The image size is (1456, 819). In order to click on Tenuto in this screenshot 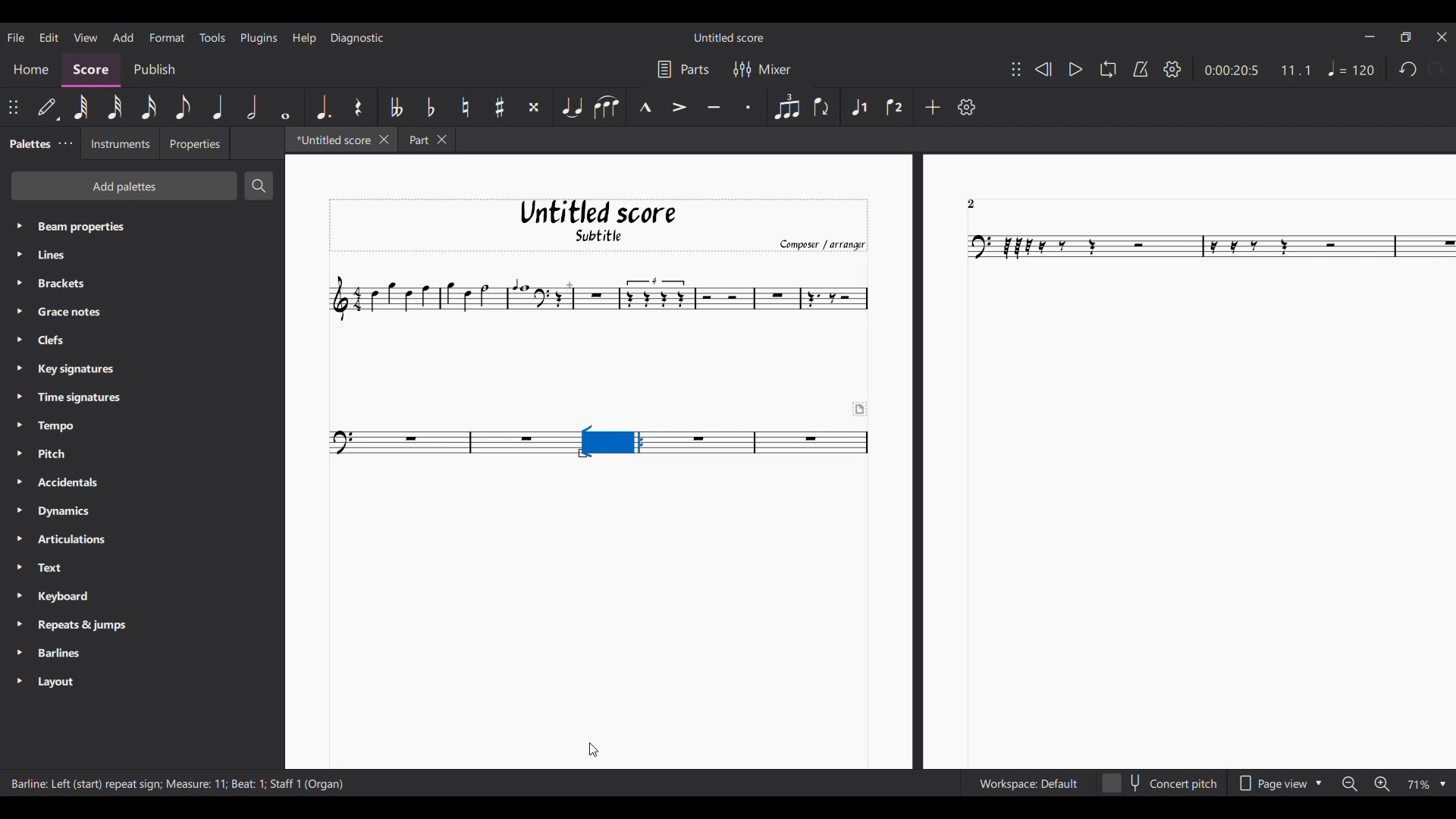, I will do `click(714, 105)`.